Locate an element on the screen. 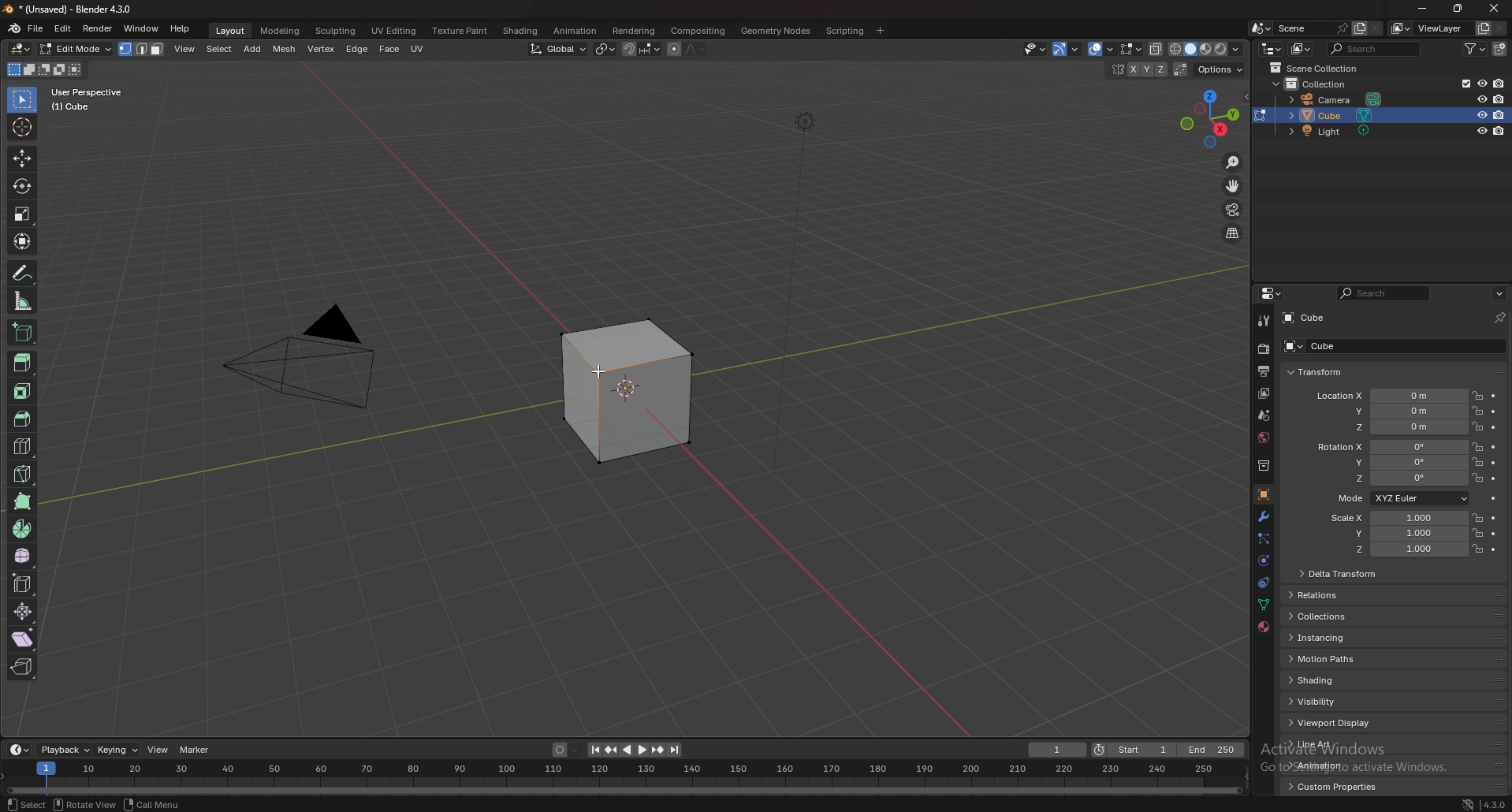 Image resolution: width=1512 pixels, height=812 pixels. location z is located at coordinates (1393, 426).